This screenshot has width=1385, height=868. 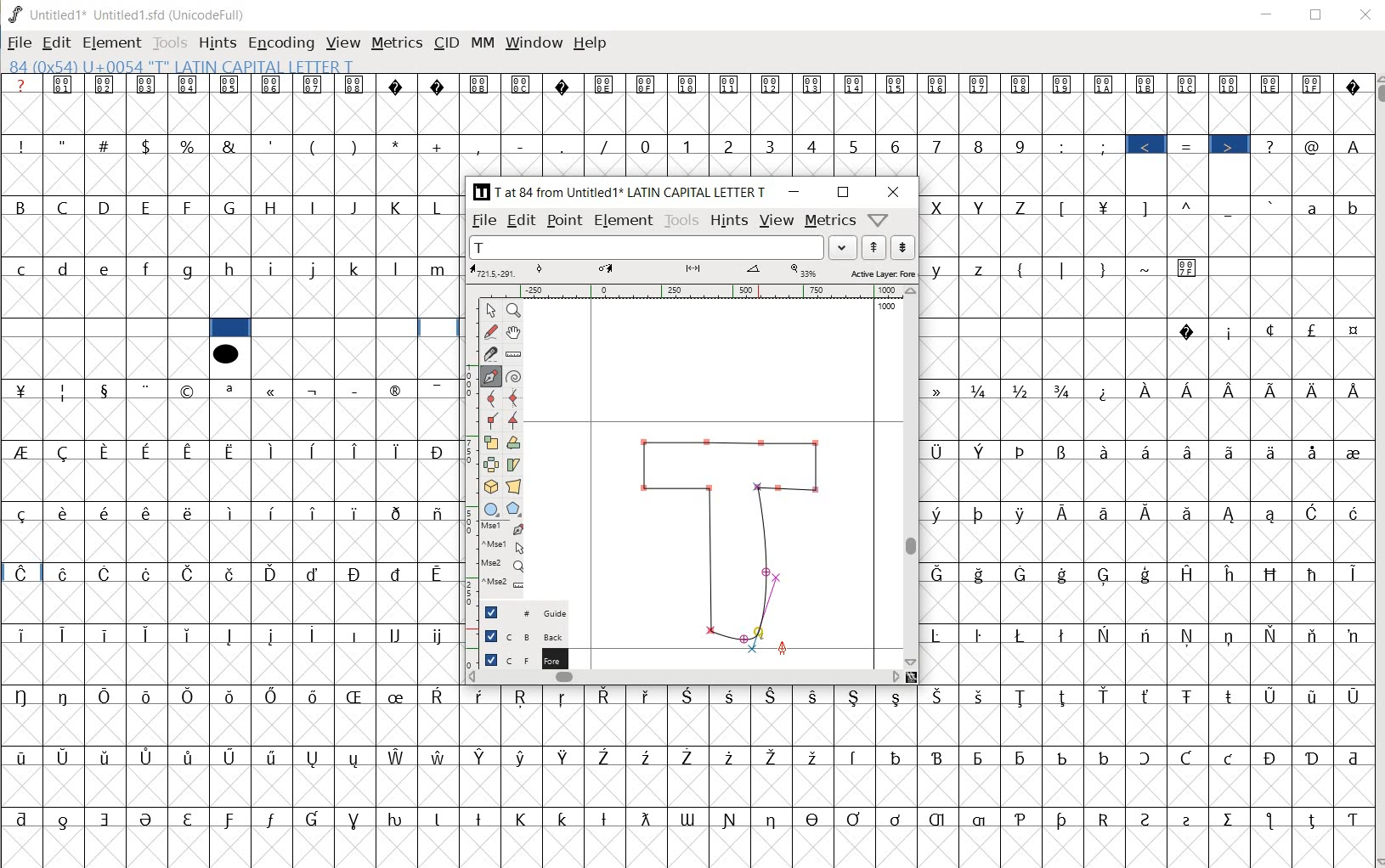 I want to click on Symbol, so click(x=856, y=84).